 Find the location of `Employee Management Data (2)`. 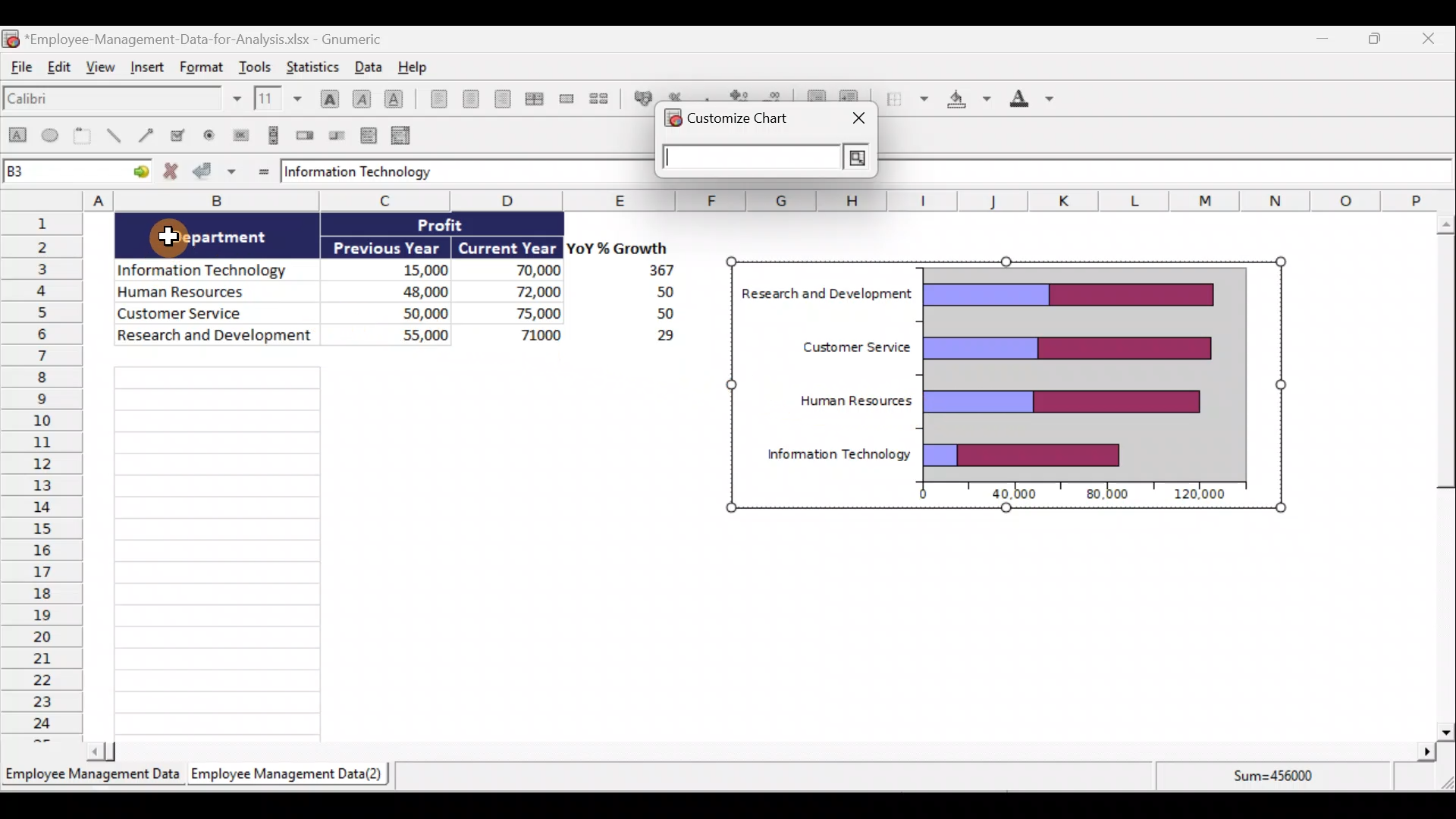

Employee Management Data (2) is located at coordinates (290, 773).